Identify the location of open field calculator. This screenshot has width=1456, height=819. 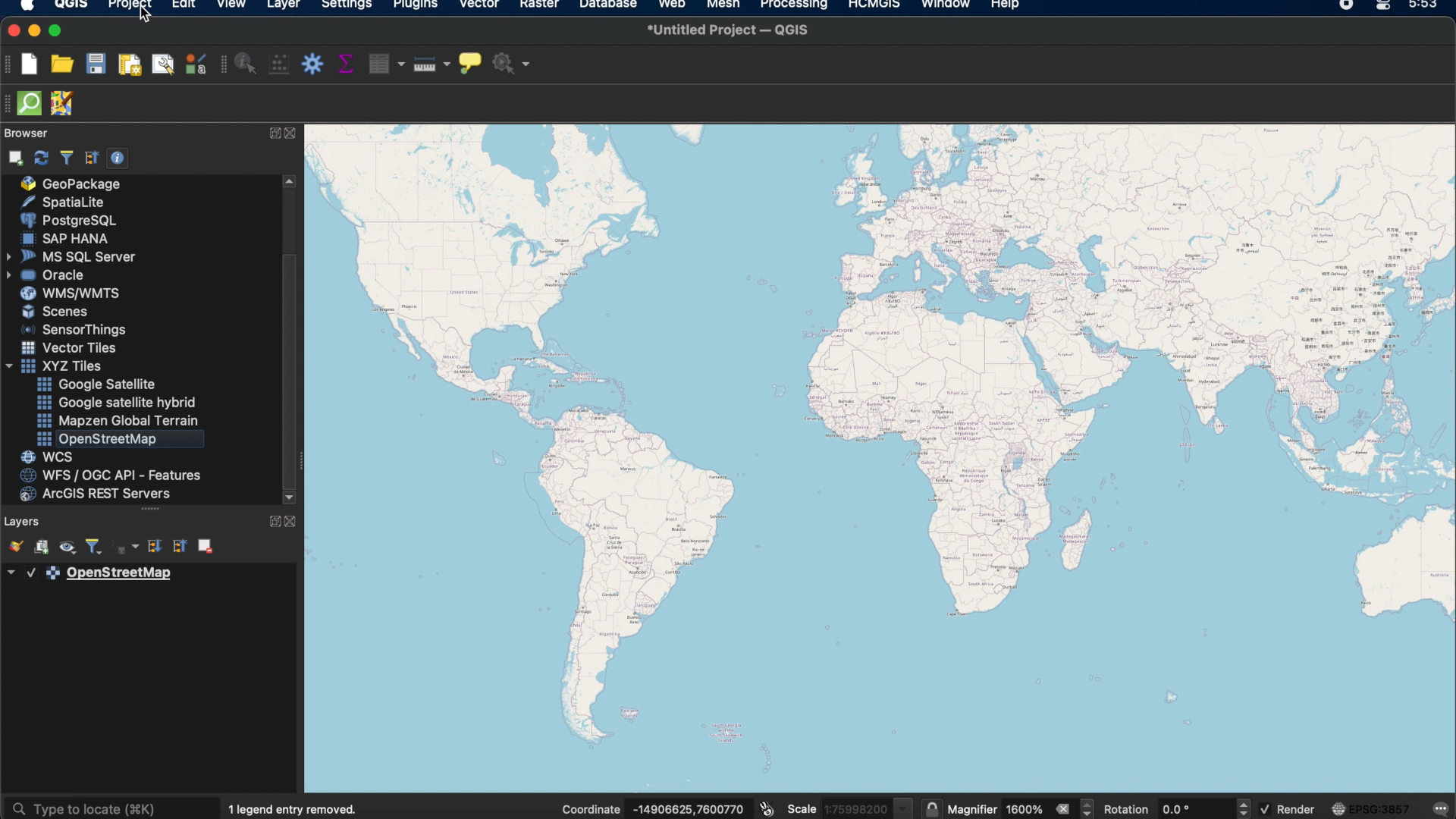
(277, 62).